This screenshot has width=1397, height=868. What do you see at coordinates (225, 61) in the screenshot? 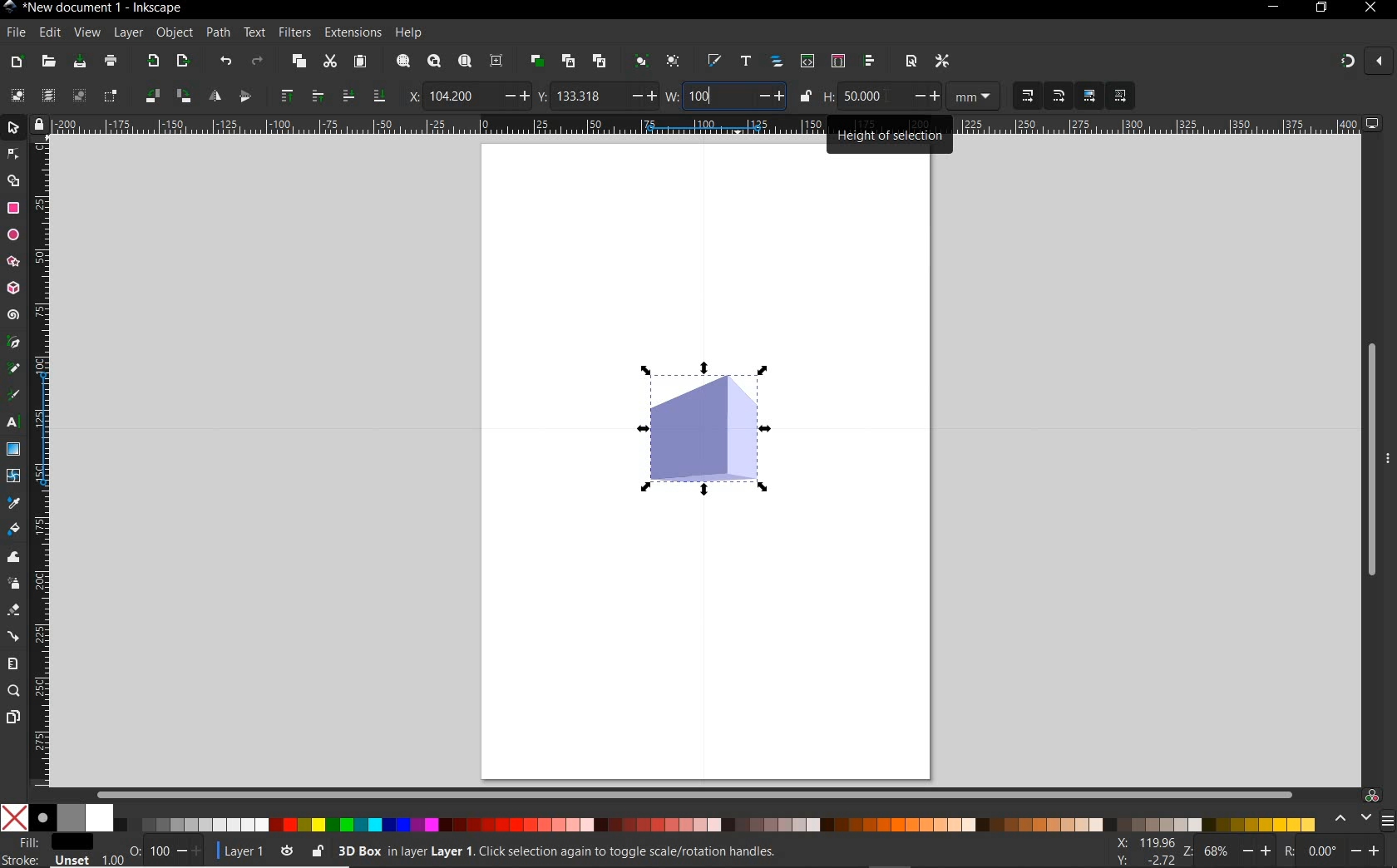
I see `undo` at bounding box center [225, 61].